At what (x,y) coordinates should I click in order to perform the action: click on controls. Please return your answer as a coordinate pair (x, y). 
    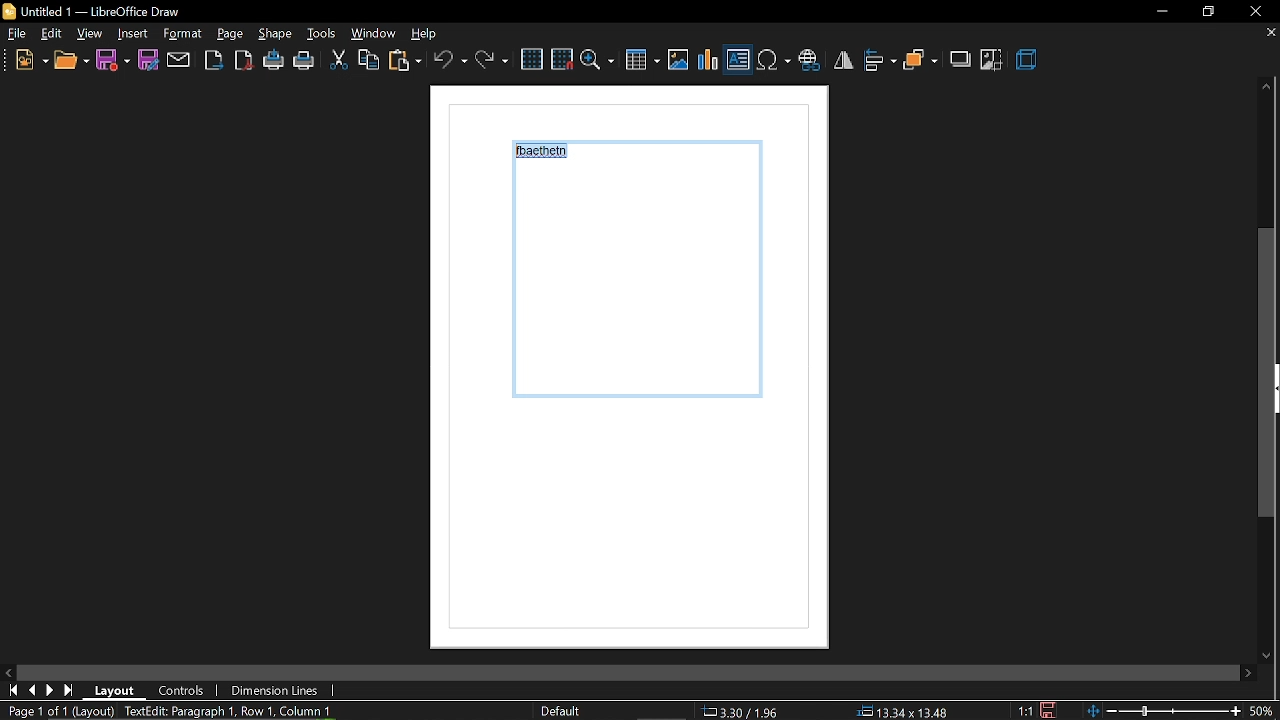
    Looking at the image, I should click on (184, 690).